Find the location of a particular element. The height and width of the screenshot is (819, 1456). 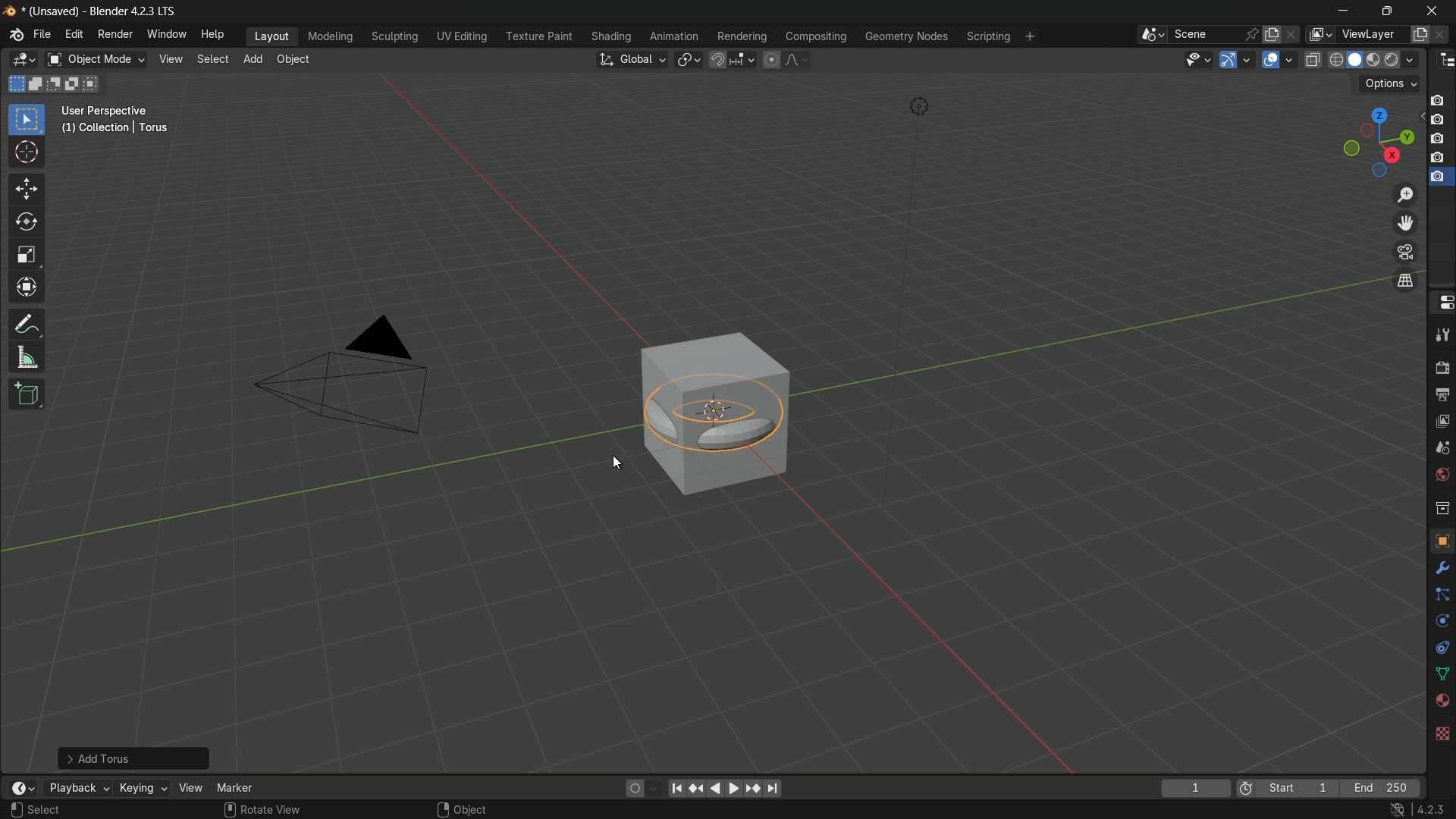

light is located at coordinates (918, 107).